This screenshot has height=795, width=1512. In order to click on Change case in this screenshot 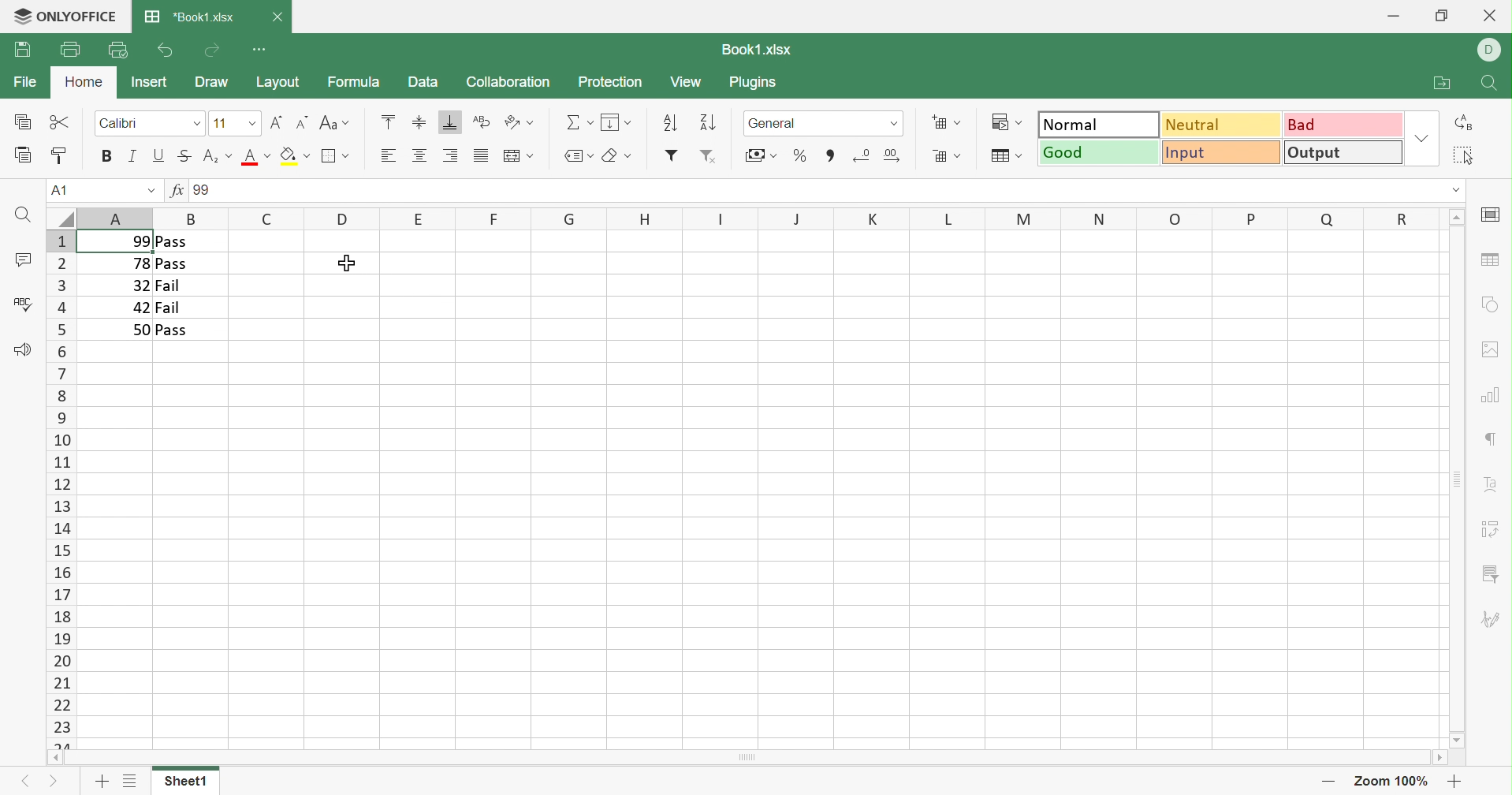, I will do `click(333, 125)`.